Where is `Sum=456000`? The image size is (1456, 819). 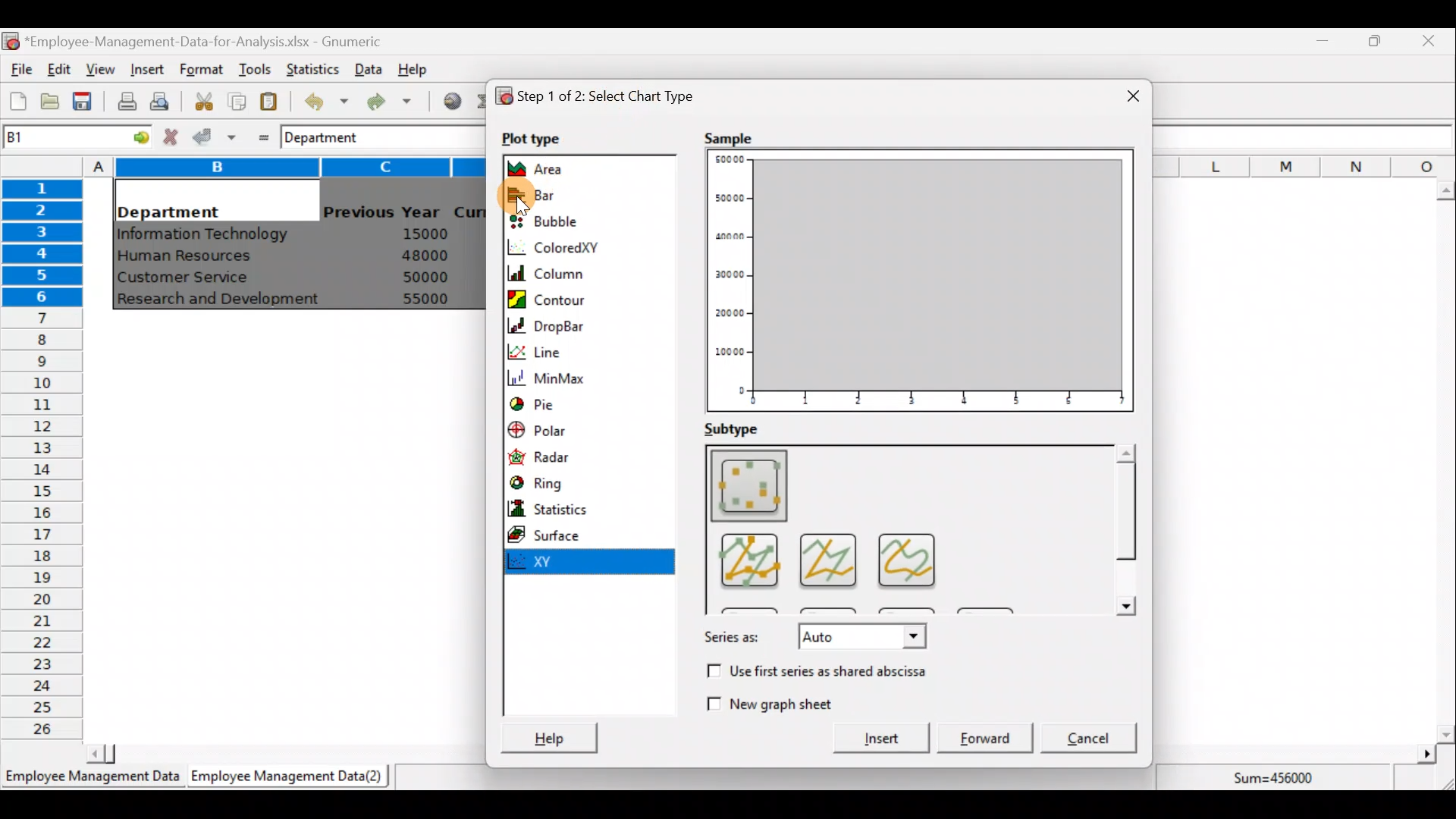 Sum=456000 is located at coordinates (1282, 780).